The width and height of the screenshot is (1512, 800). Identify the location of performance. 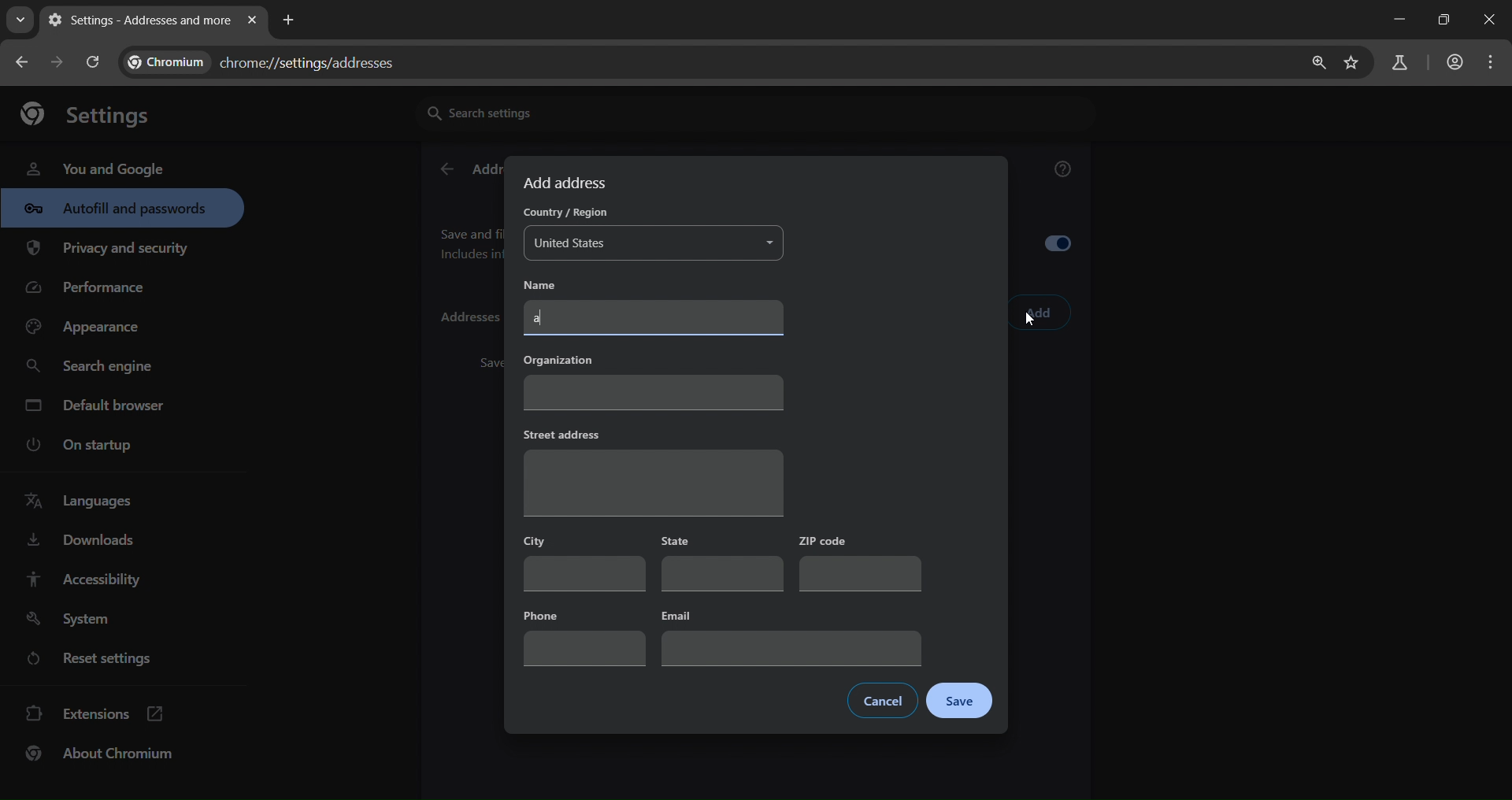
(91, 291).